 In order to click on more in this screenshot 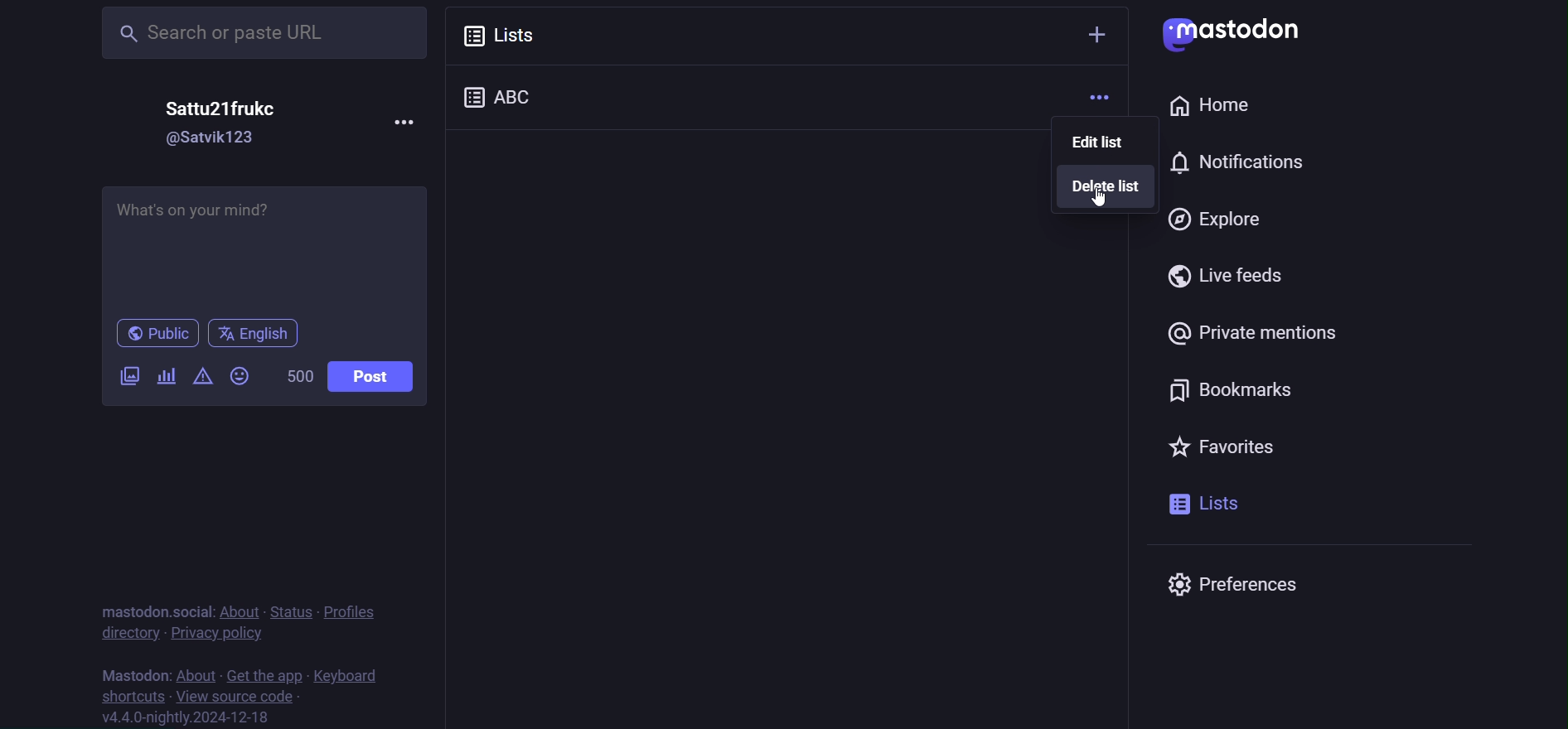, I will do `click(410, 121)`.